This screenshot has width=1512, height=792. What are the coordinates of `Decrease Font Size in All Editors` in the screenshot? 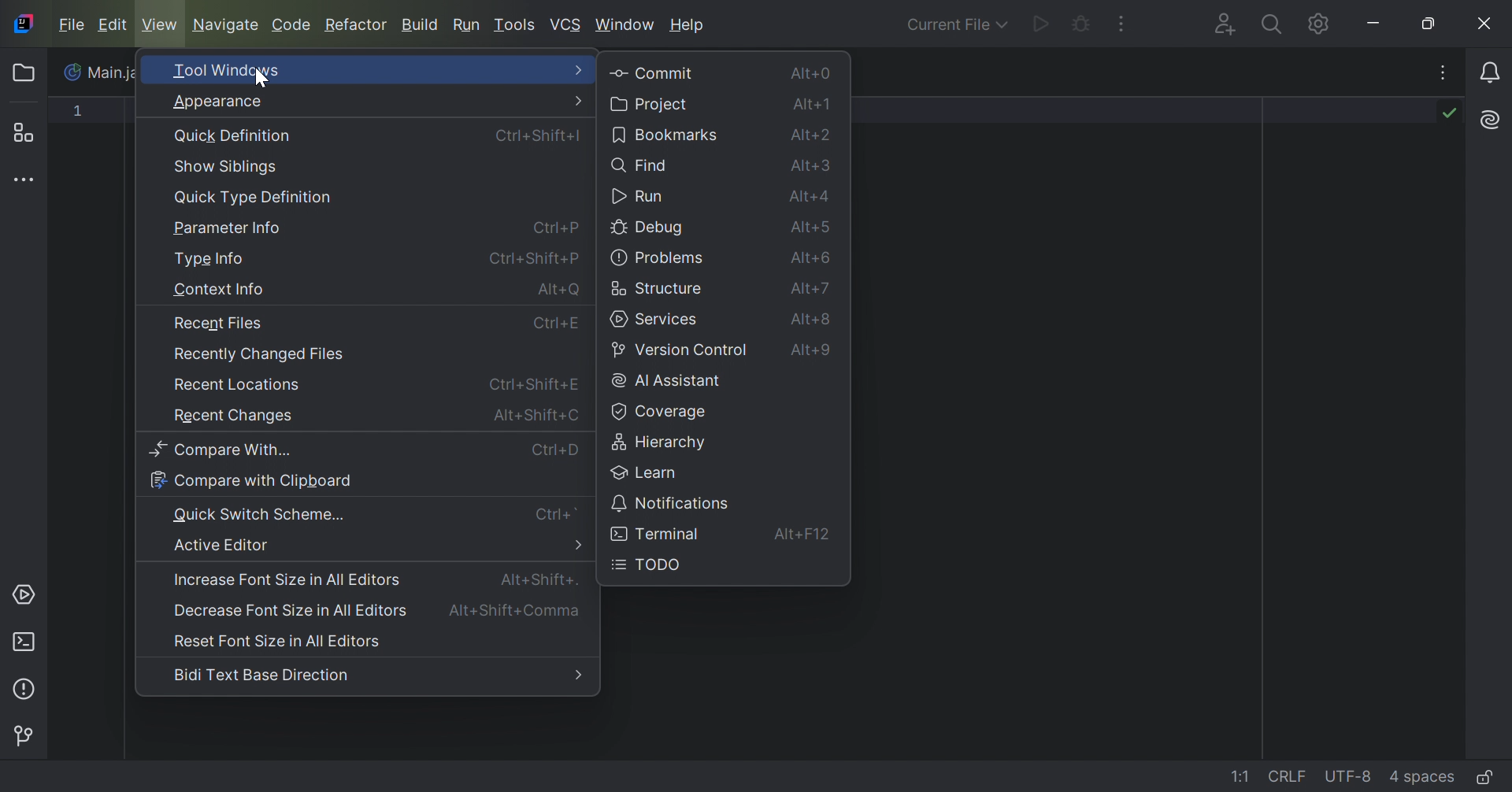 It's located at (287, 609).